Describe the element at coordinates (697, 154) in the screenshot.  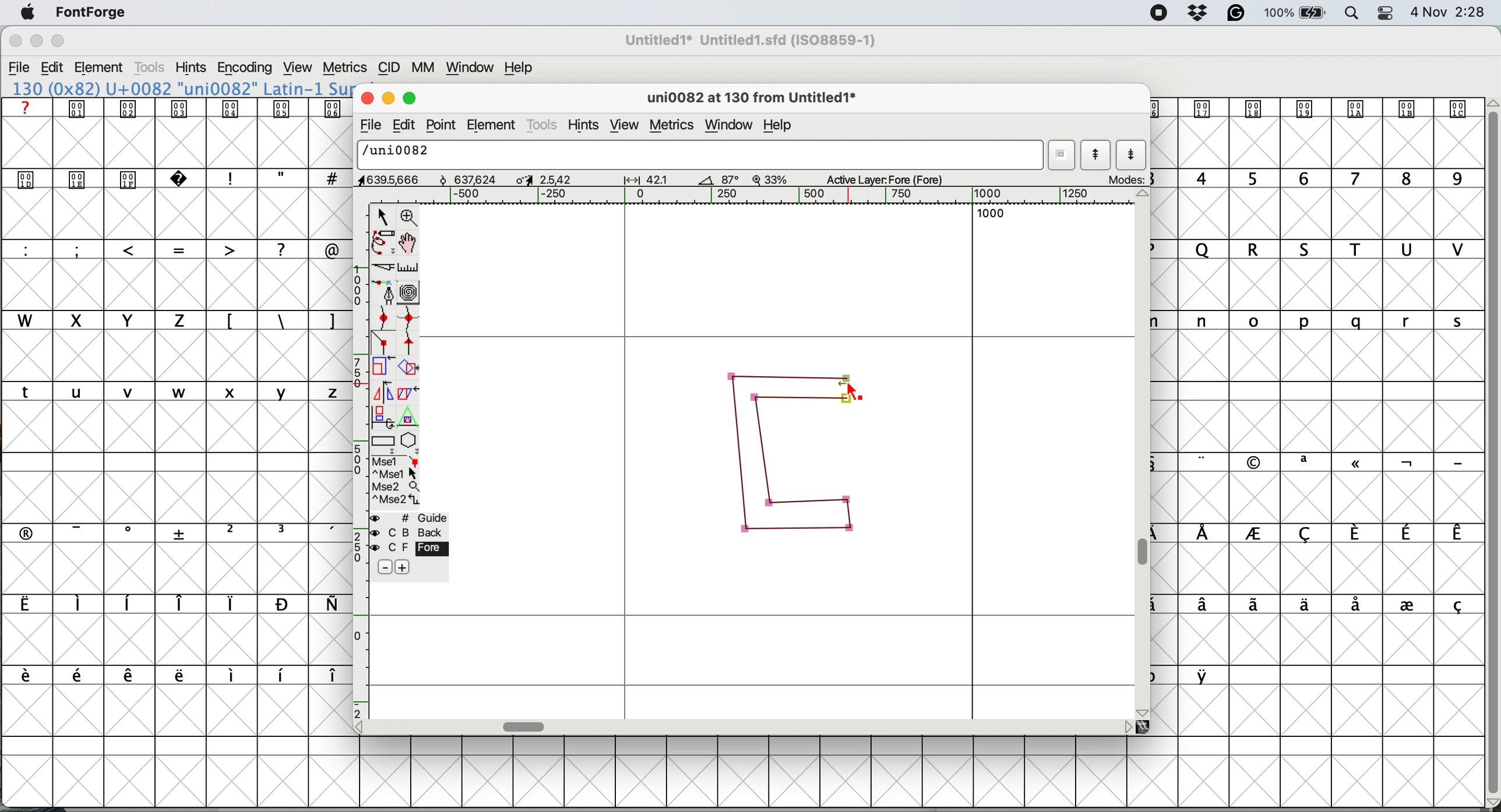
I see `glyph name` at that location.